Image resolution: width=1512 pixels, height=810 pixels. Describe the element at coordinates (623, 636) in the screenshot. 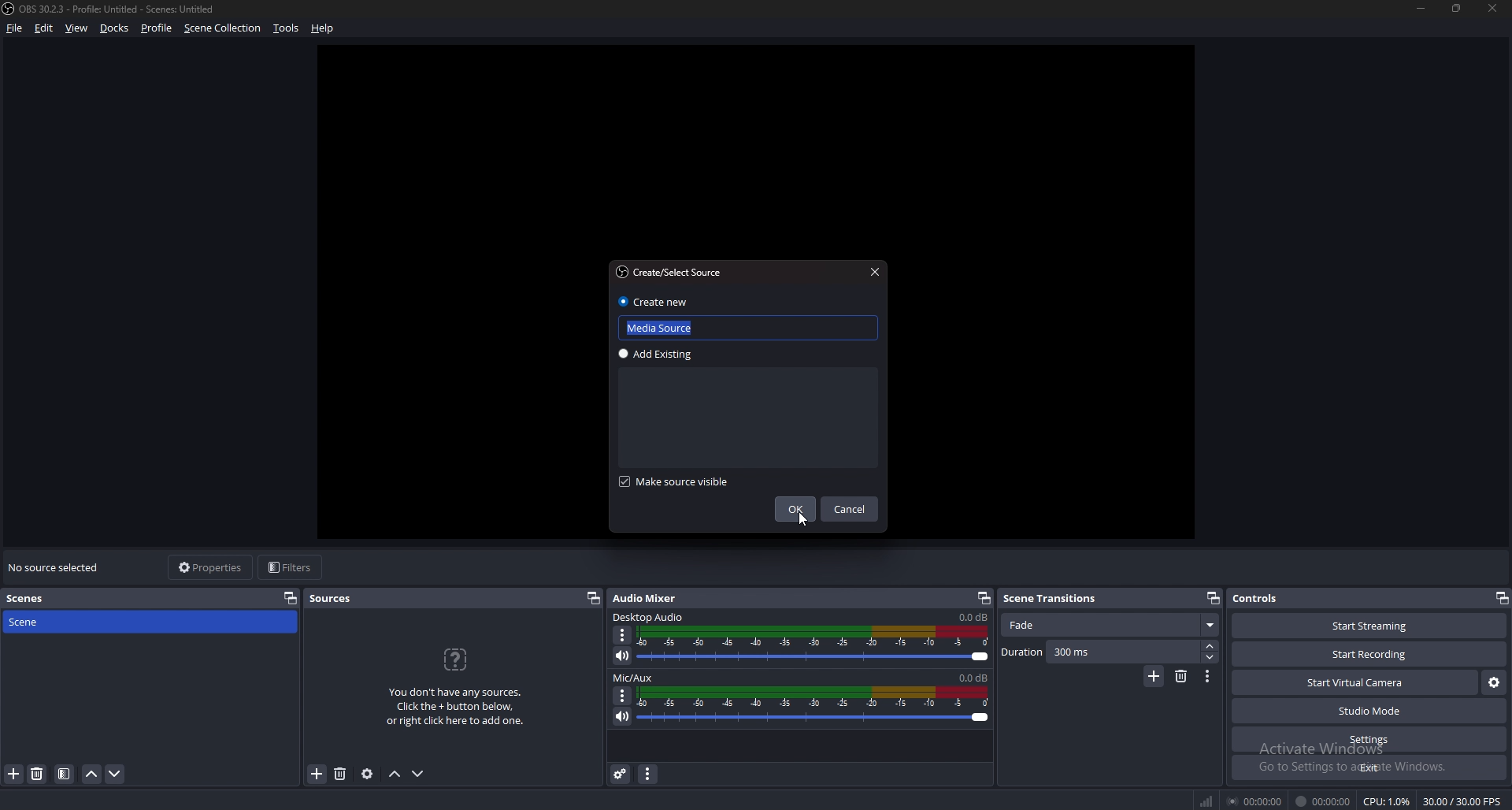

I see `Options` at that location.